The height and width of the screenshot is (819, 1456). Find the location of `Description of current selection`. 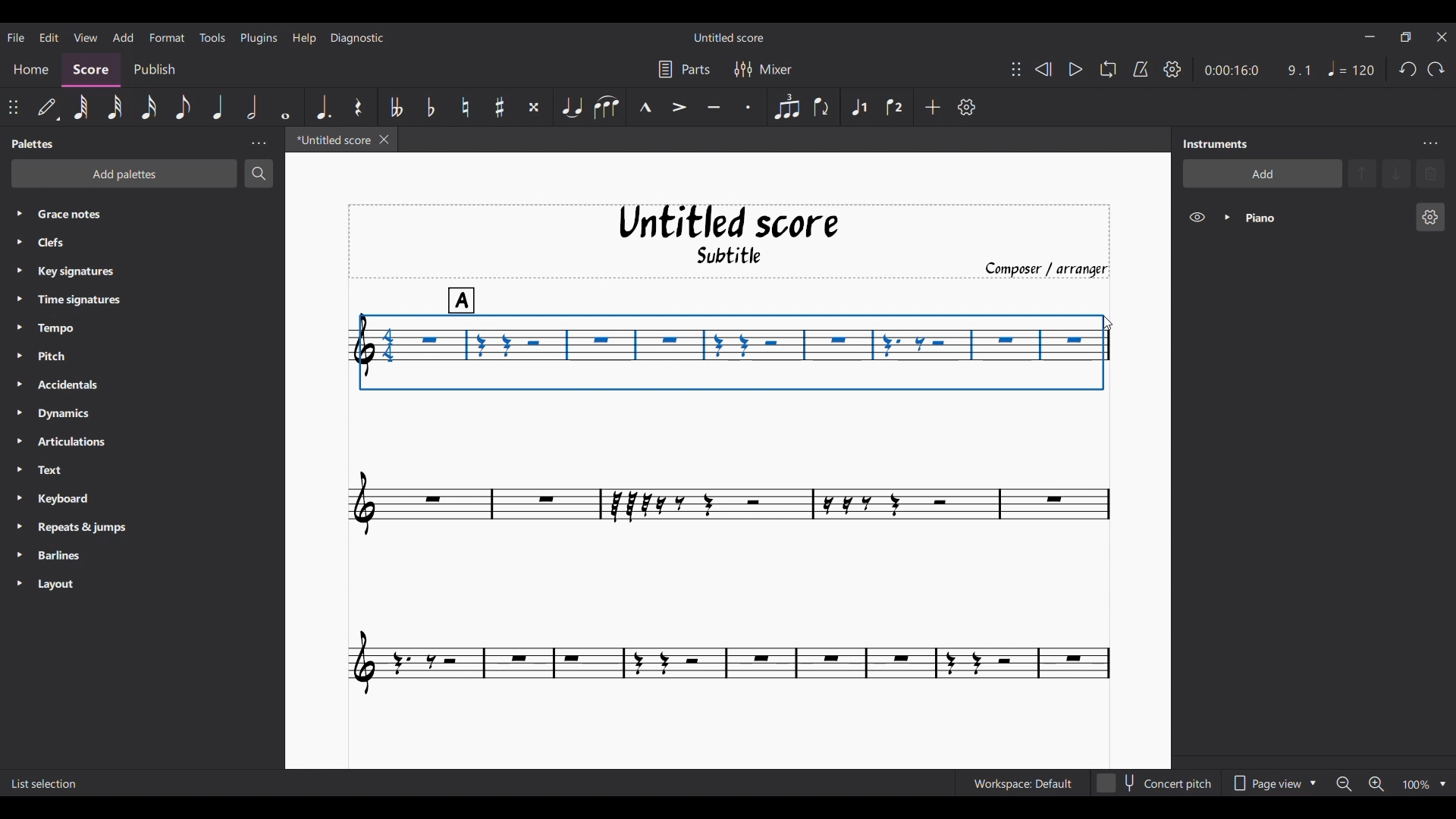

Description of current selection is located at coordinates (45, 785).